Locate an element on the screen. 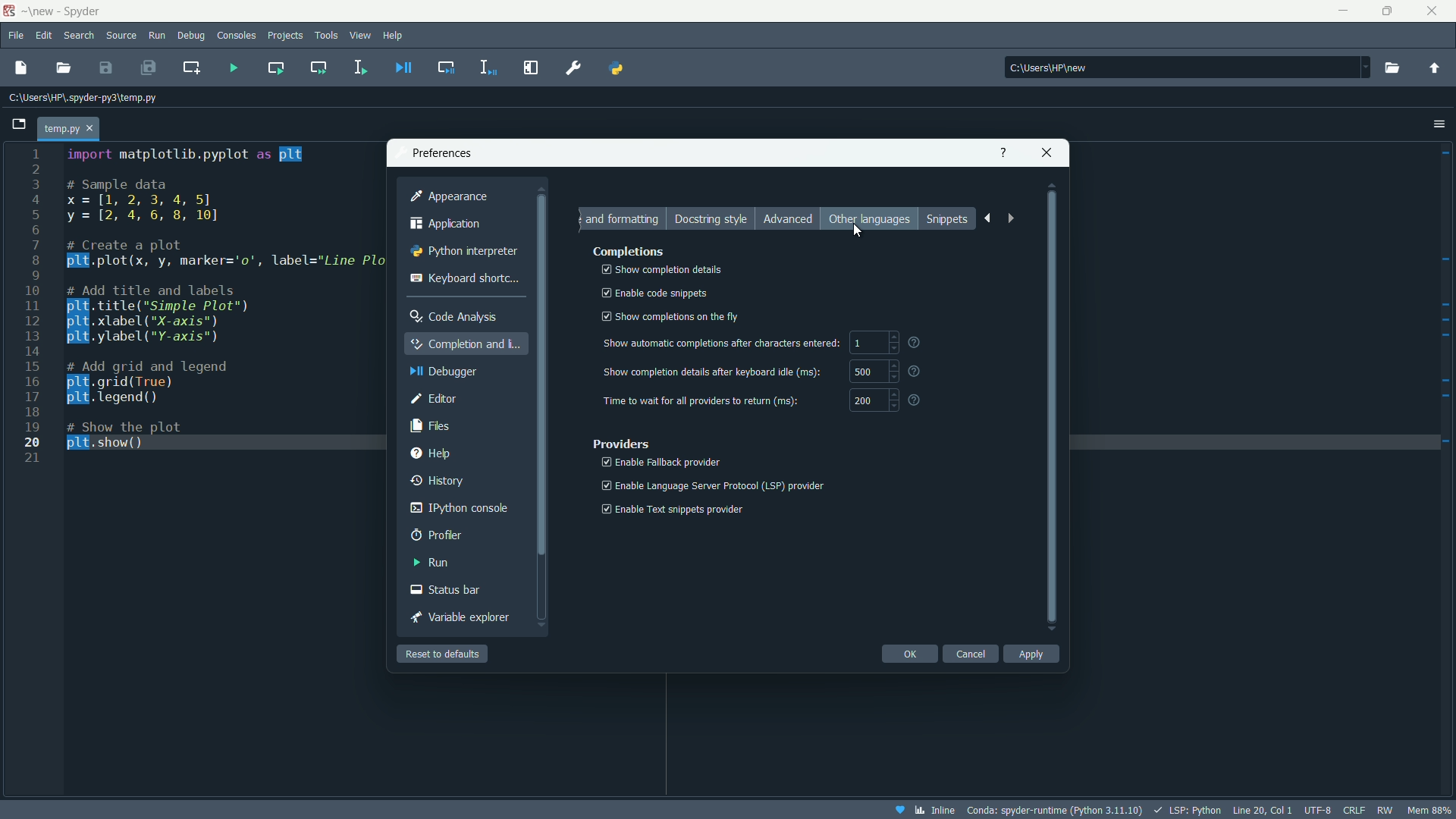  projects is located at coordinates (285, 36).